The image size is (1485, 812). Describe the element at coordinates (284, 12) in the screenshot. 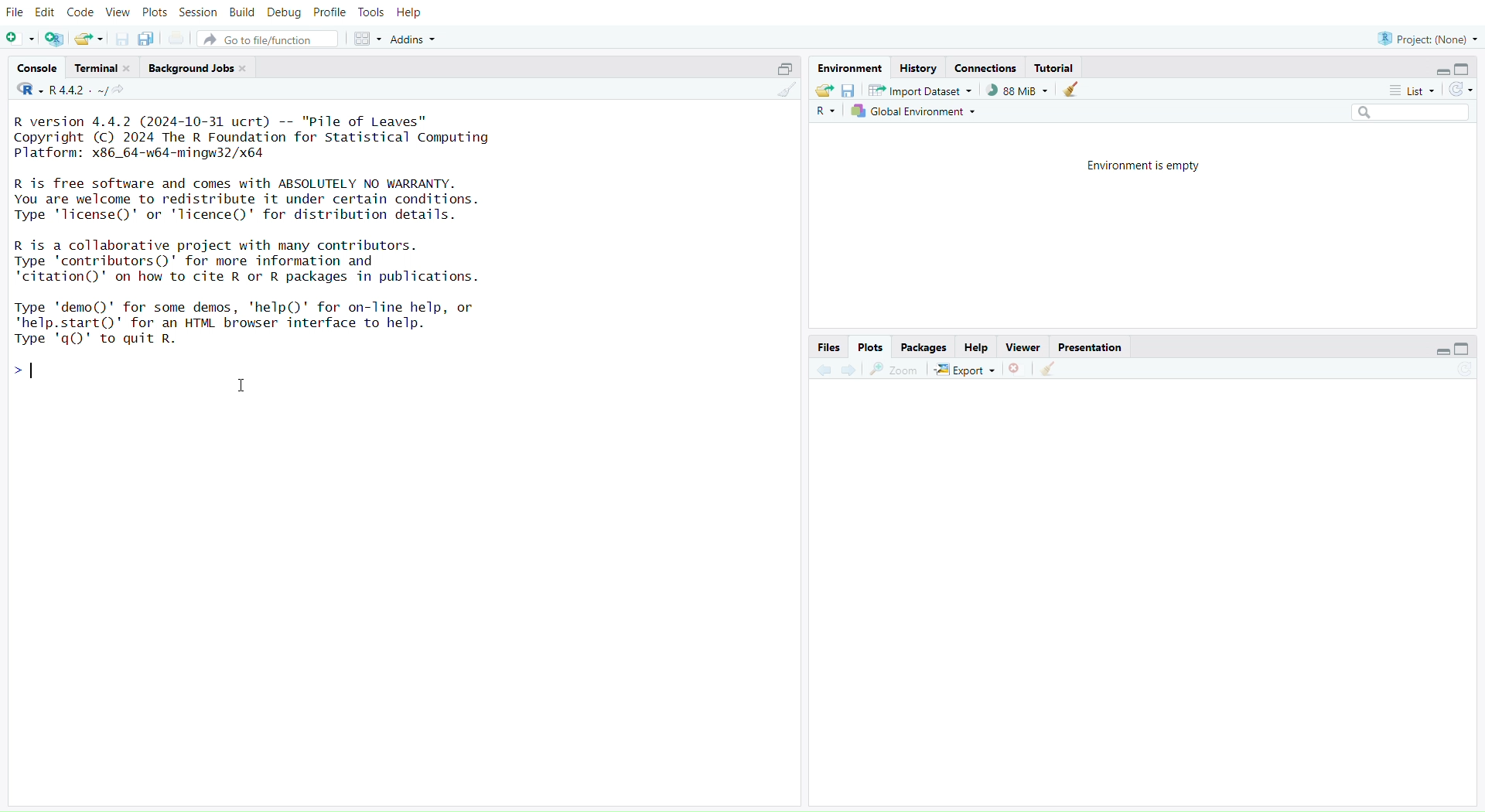

I see `debug` at that location.